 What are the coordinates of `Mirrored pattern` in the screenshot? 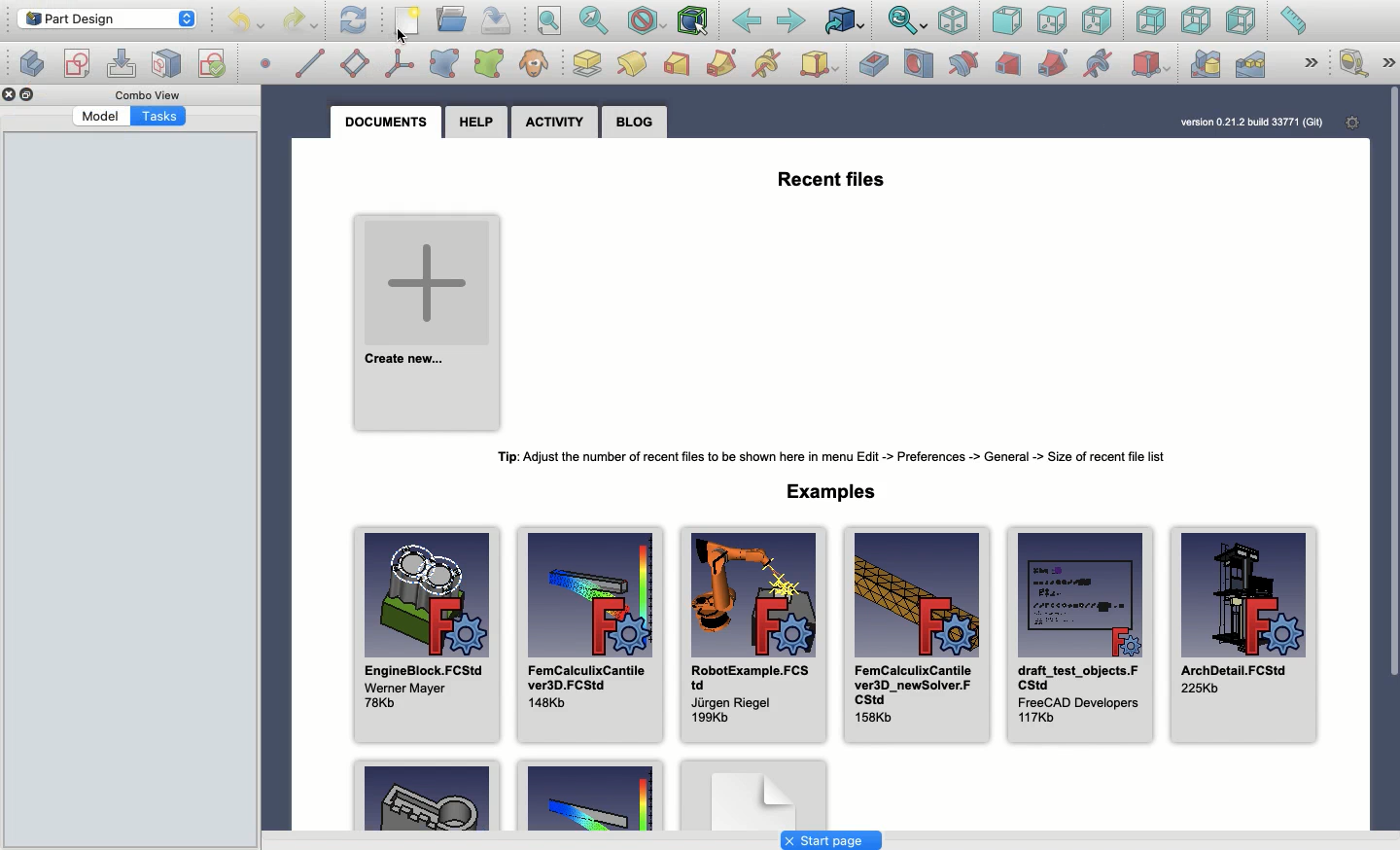 It's located at (1204, 64).